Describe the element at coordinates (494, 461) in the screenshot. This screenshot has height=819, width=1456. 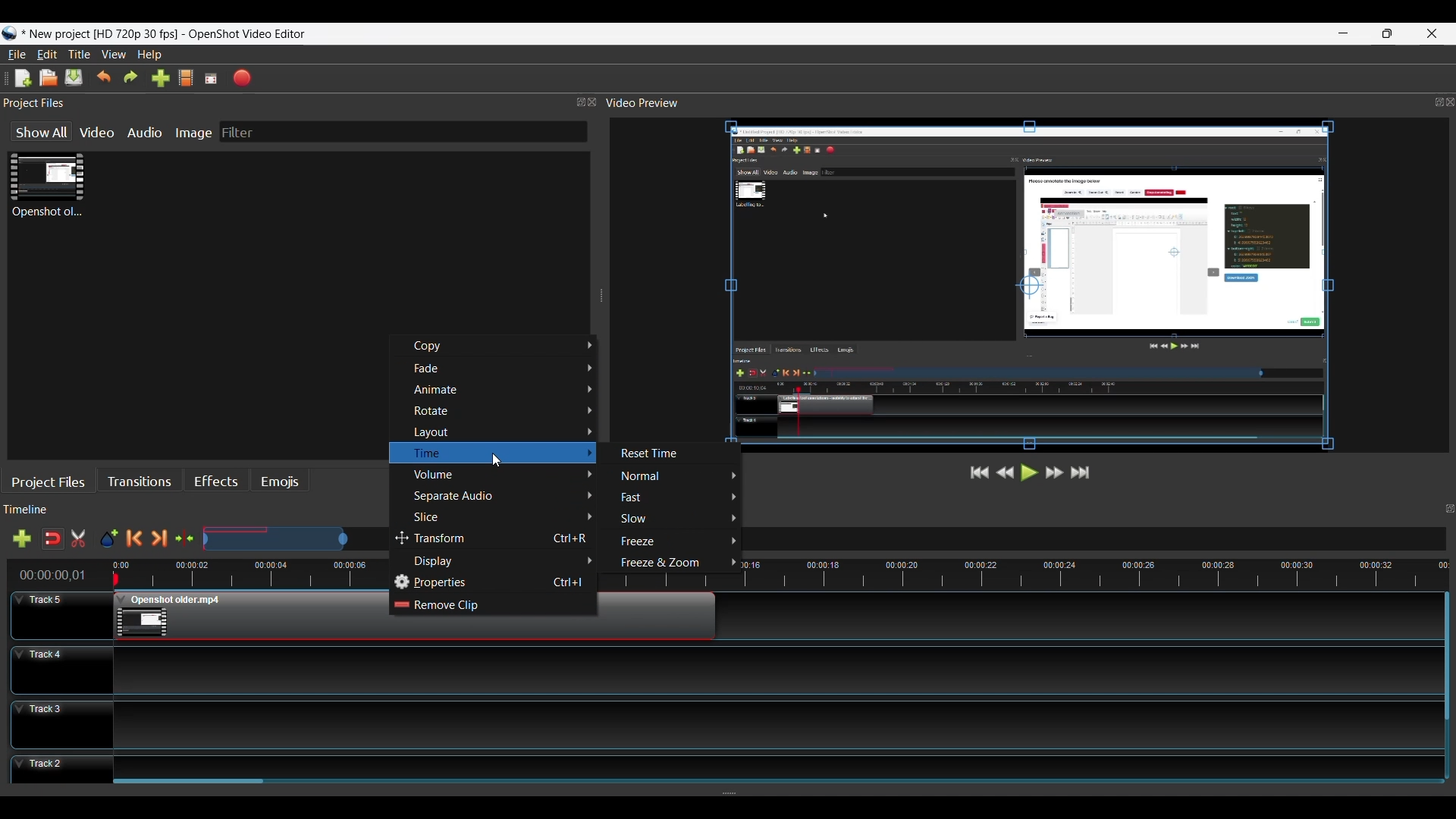
I see `Cursor` at that location.